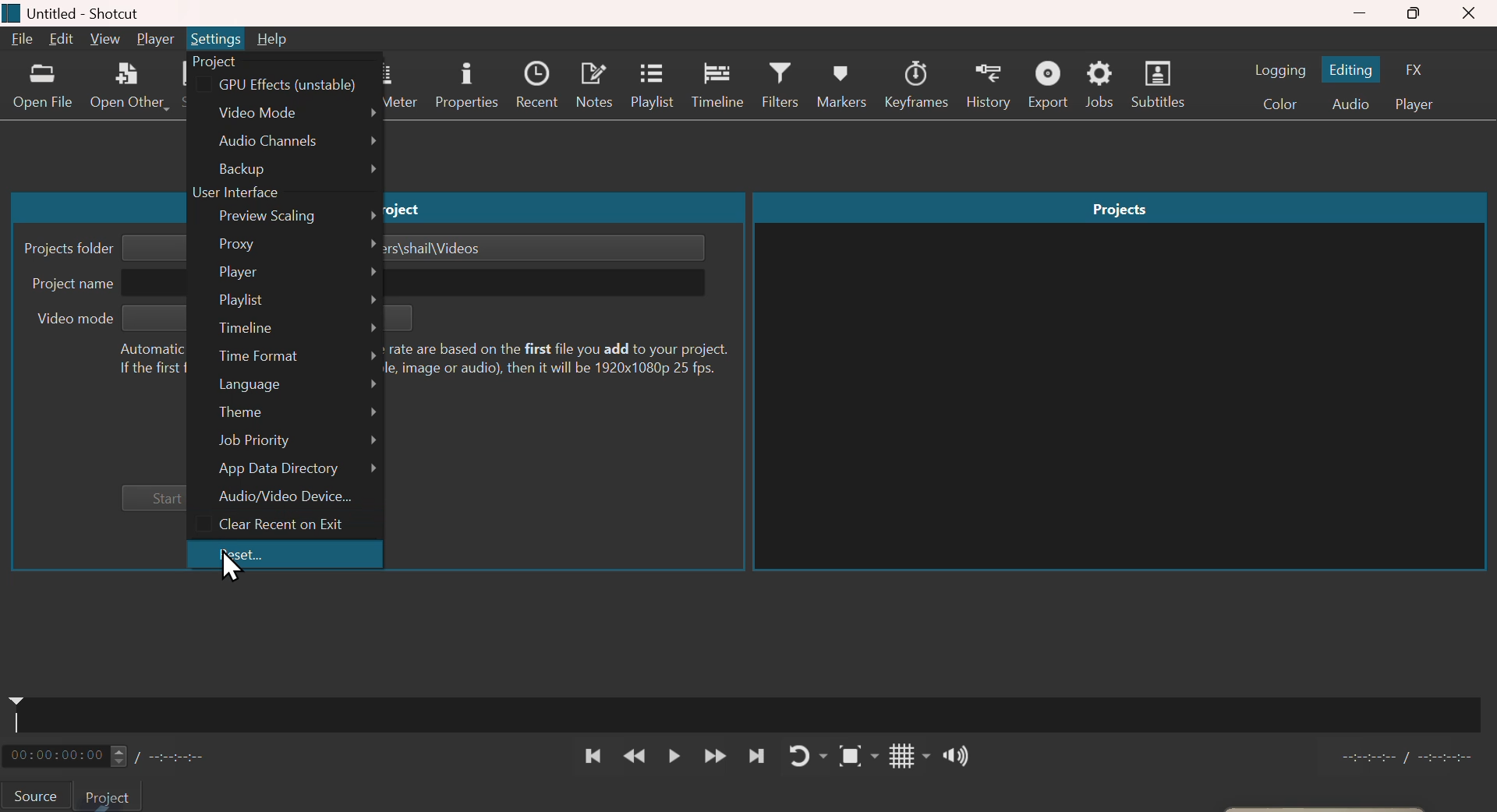 The width and height of the screenshot is (1497, 812). I want to click on Projects, so click(1120, 207).